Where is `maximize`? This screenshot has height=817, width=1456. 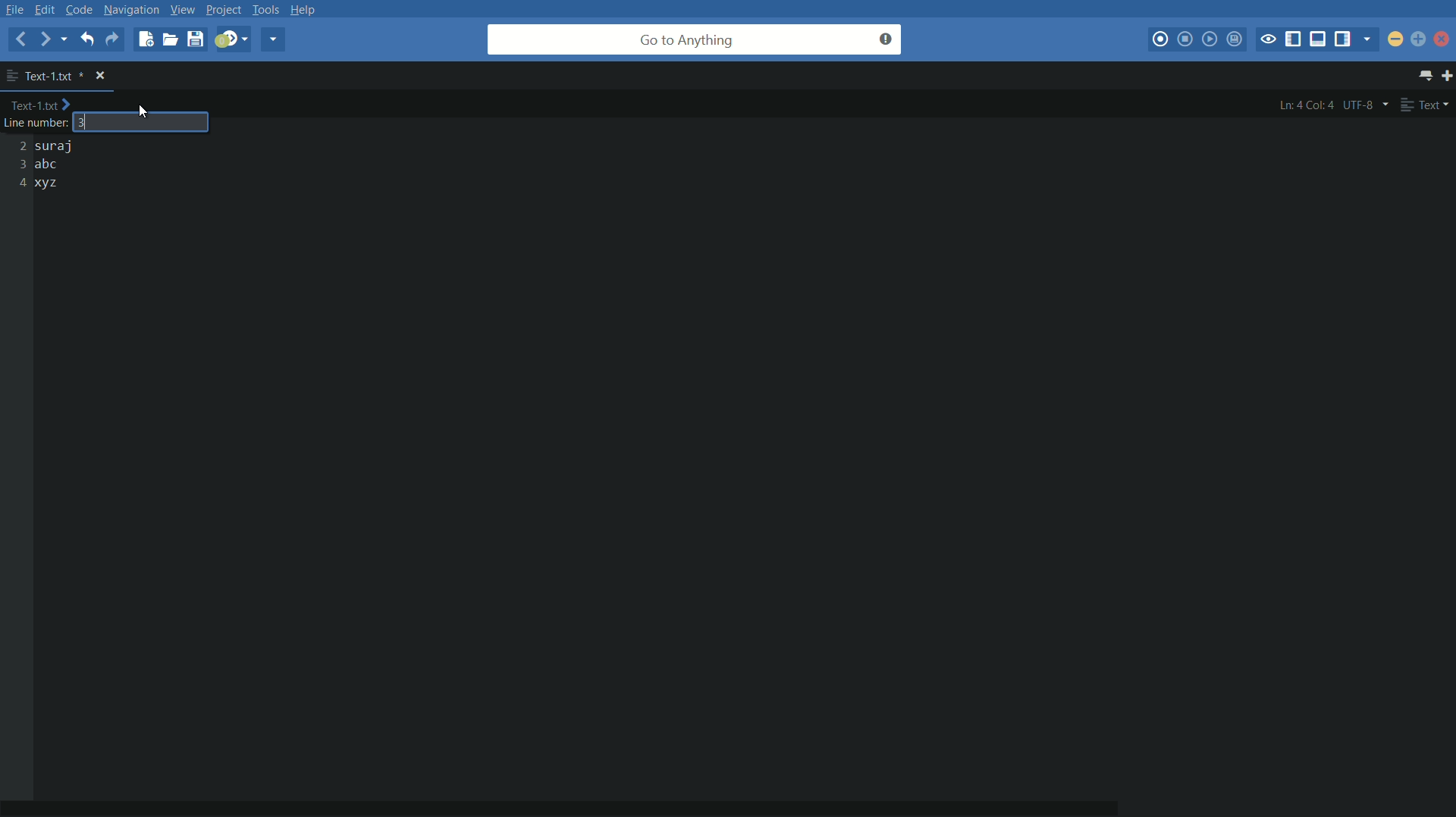 maximize is located at coordinates (1417, 39).